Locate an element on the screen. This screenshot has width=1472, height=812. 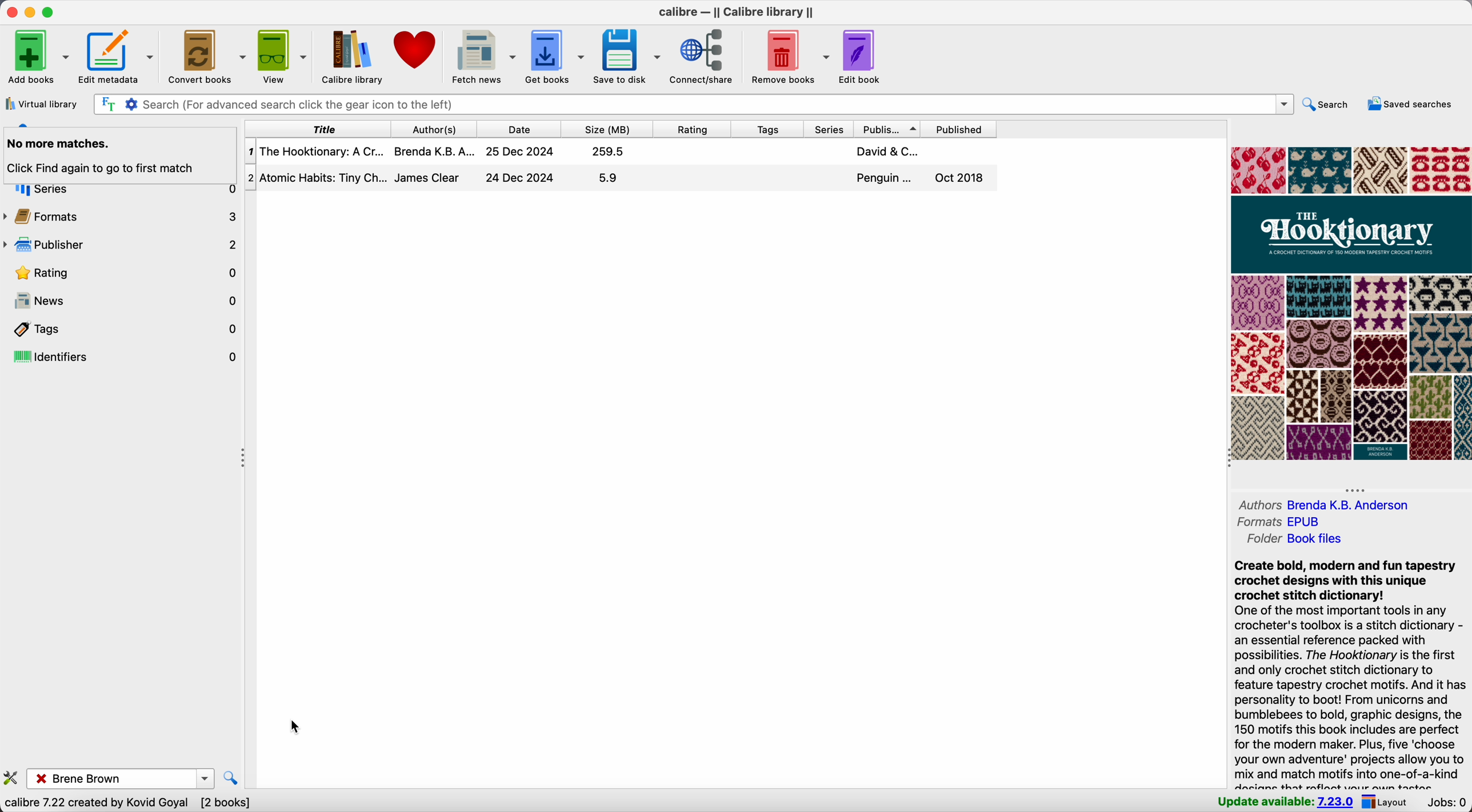
edit book is located at coordinates (865, 57).